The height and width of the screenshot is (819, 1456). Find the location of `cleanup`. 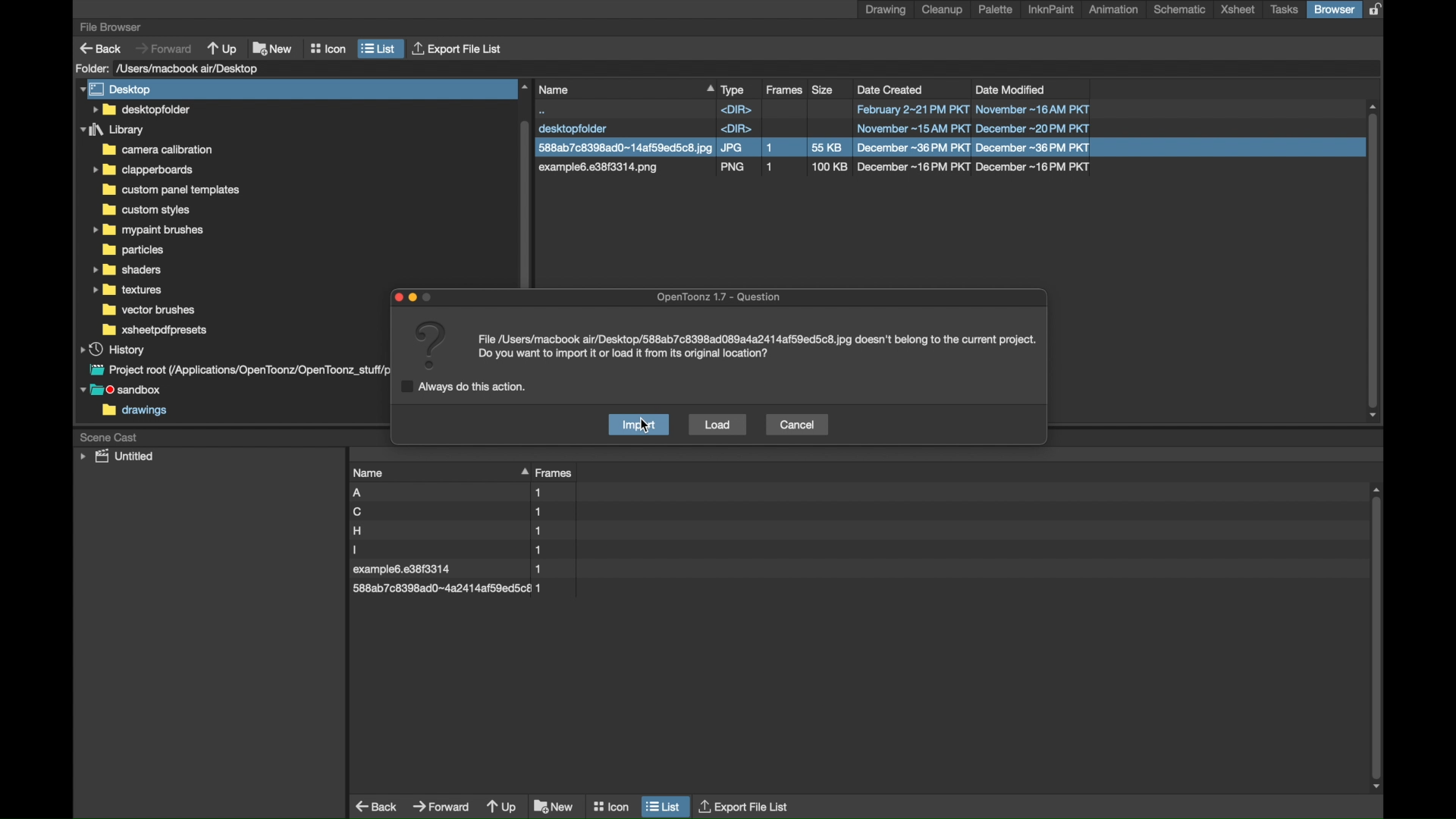

cleanup is located at coordinates (945, 10).